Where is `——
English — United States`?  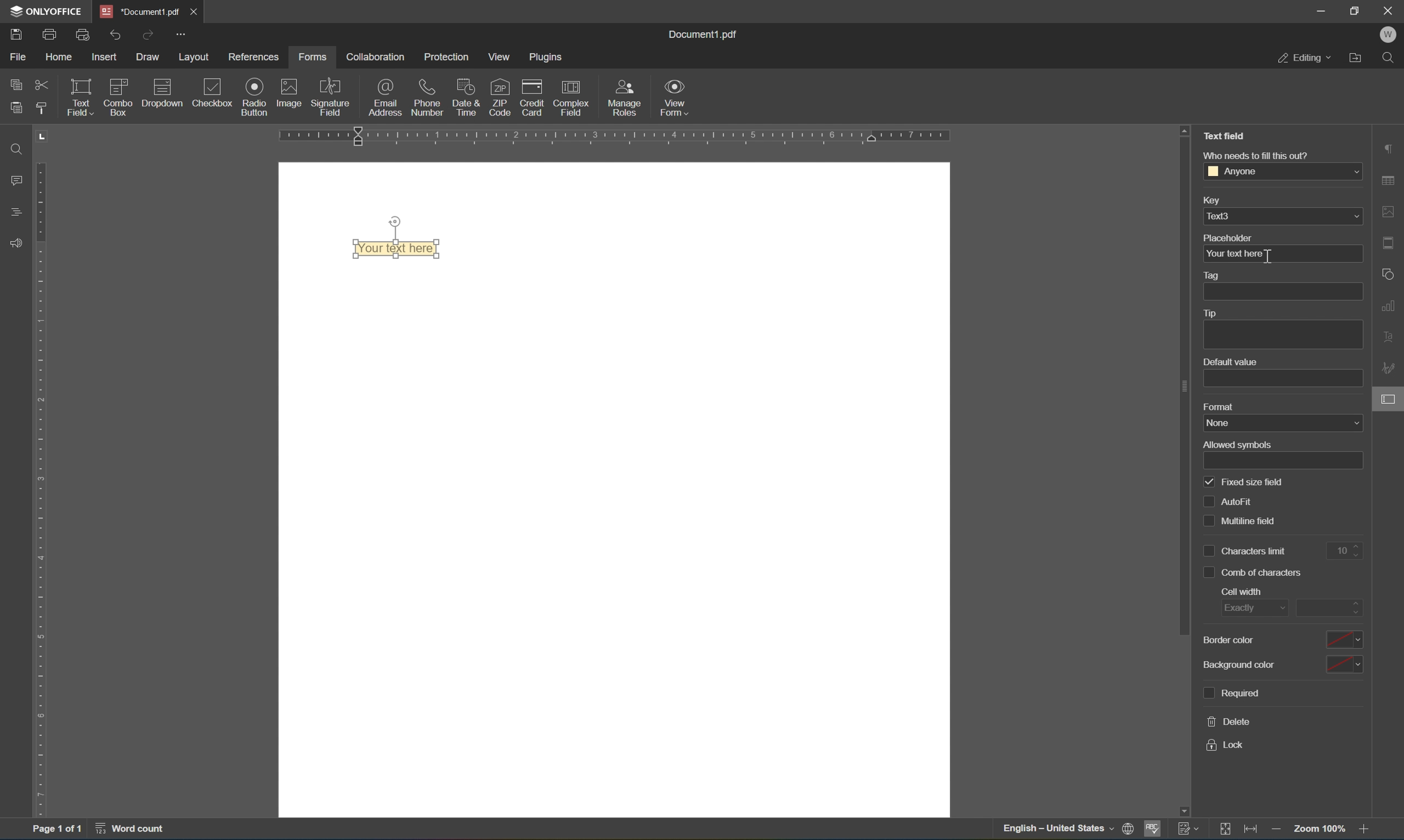 ——
English — United States is located at coordinates (1046, 831).